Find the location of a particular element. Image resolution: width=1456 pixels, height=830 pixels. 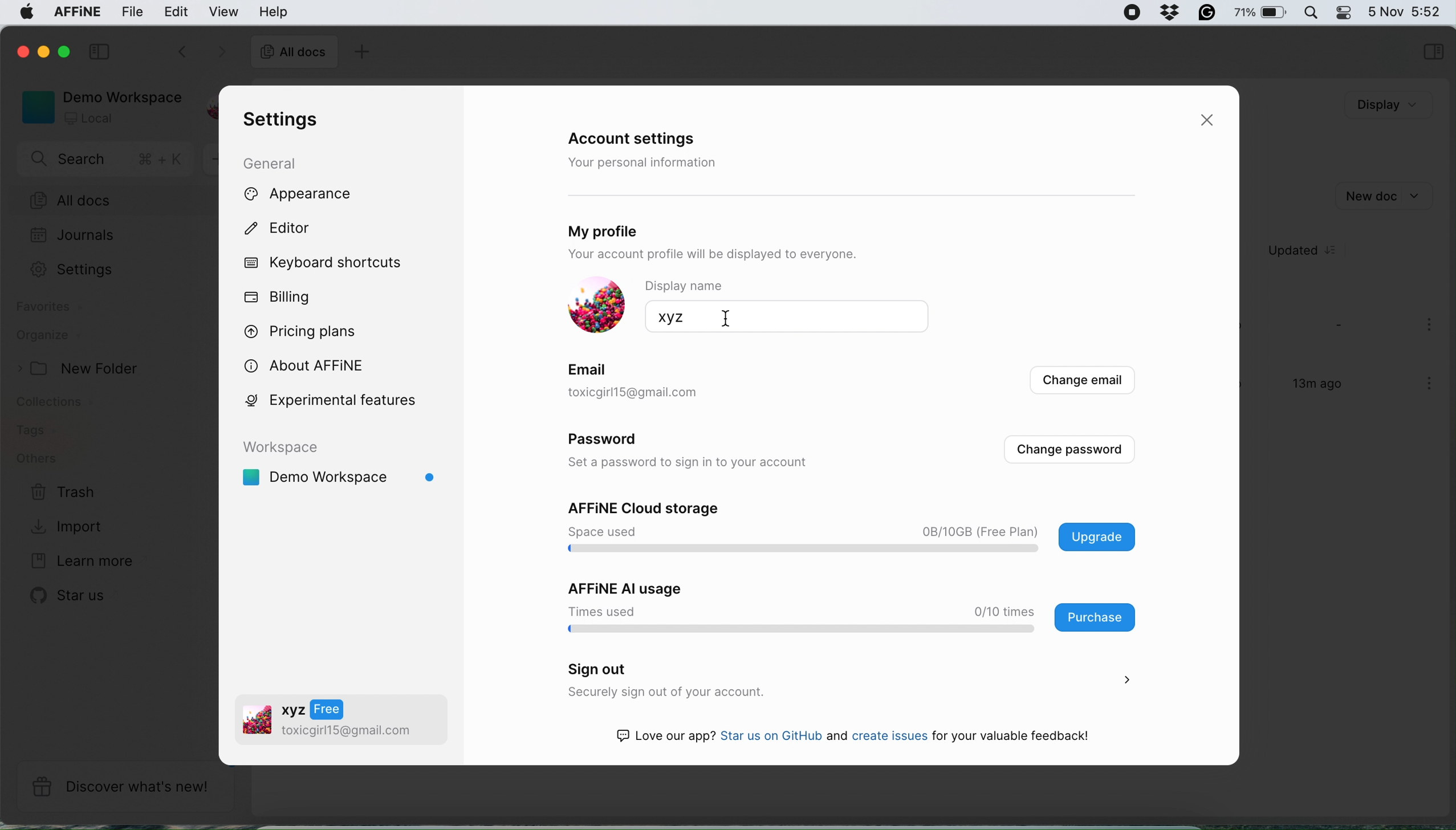

others is located at coordinates (36, 459).